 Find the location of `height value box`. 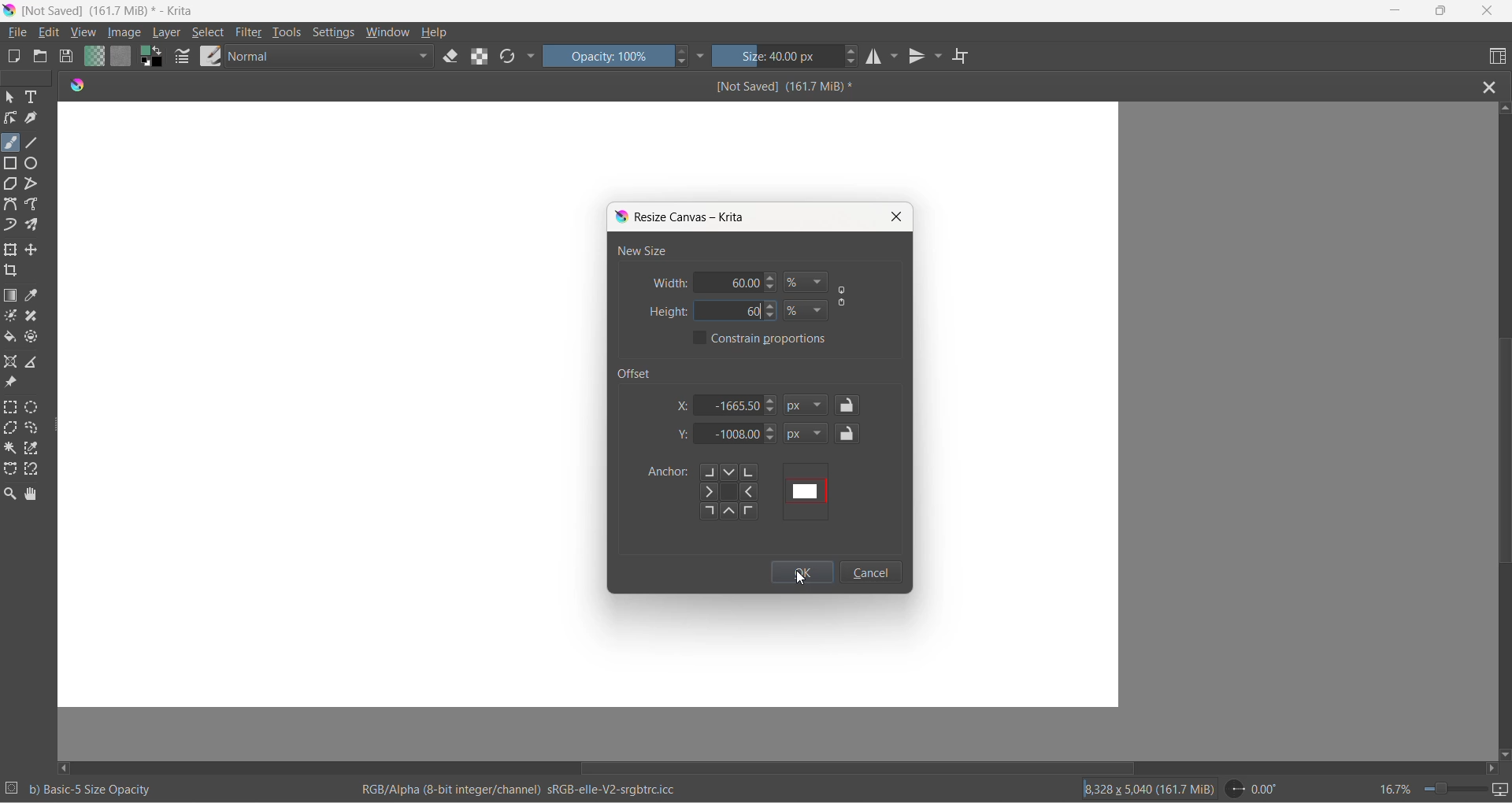

height value box is located at coordinates (711, 312).